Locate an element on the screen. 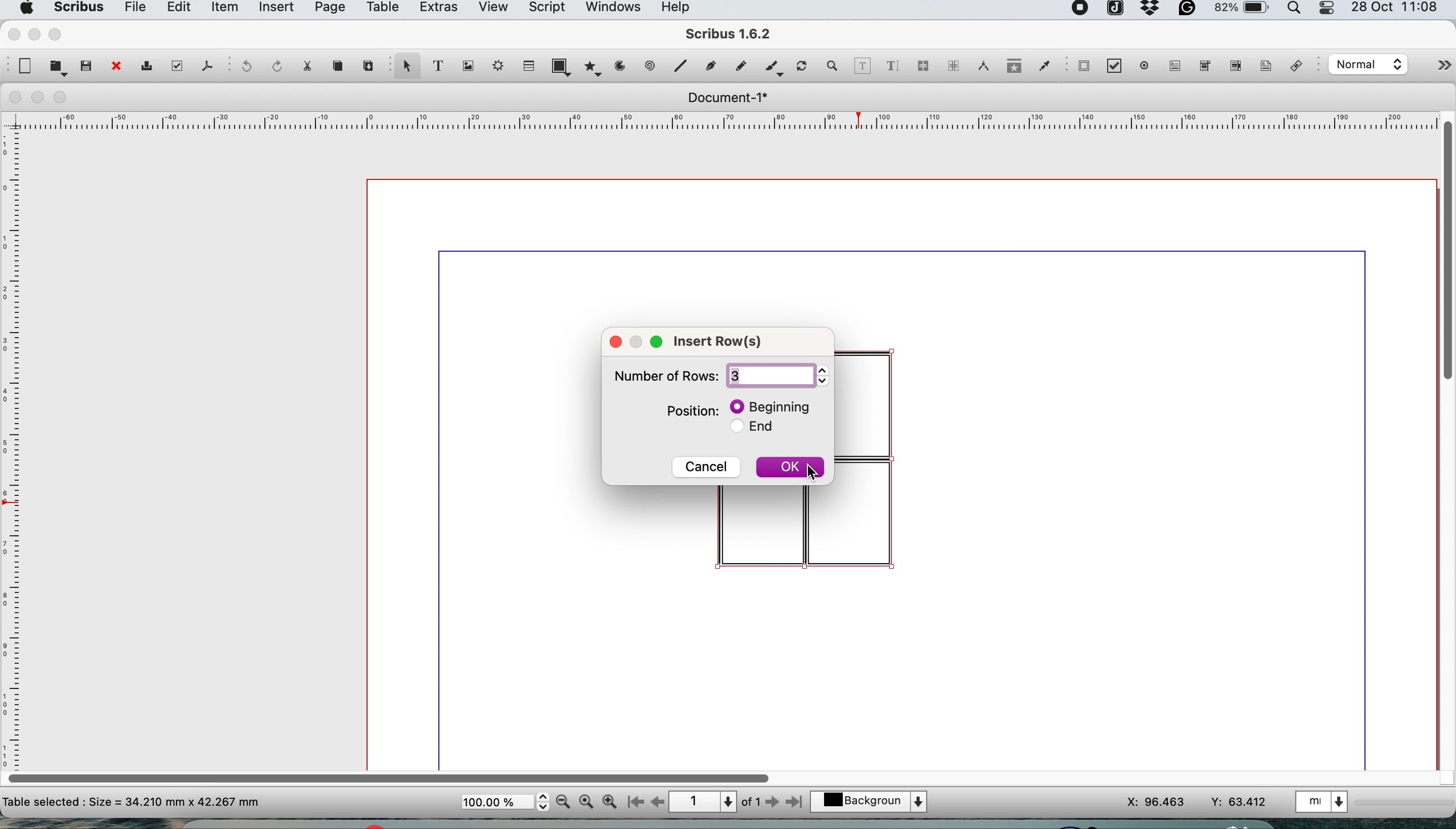 The height and width of the screenshot is (829, 1456). edit is located at coordinates (177, 9).